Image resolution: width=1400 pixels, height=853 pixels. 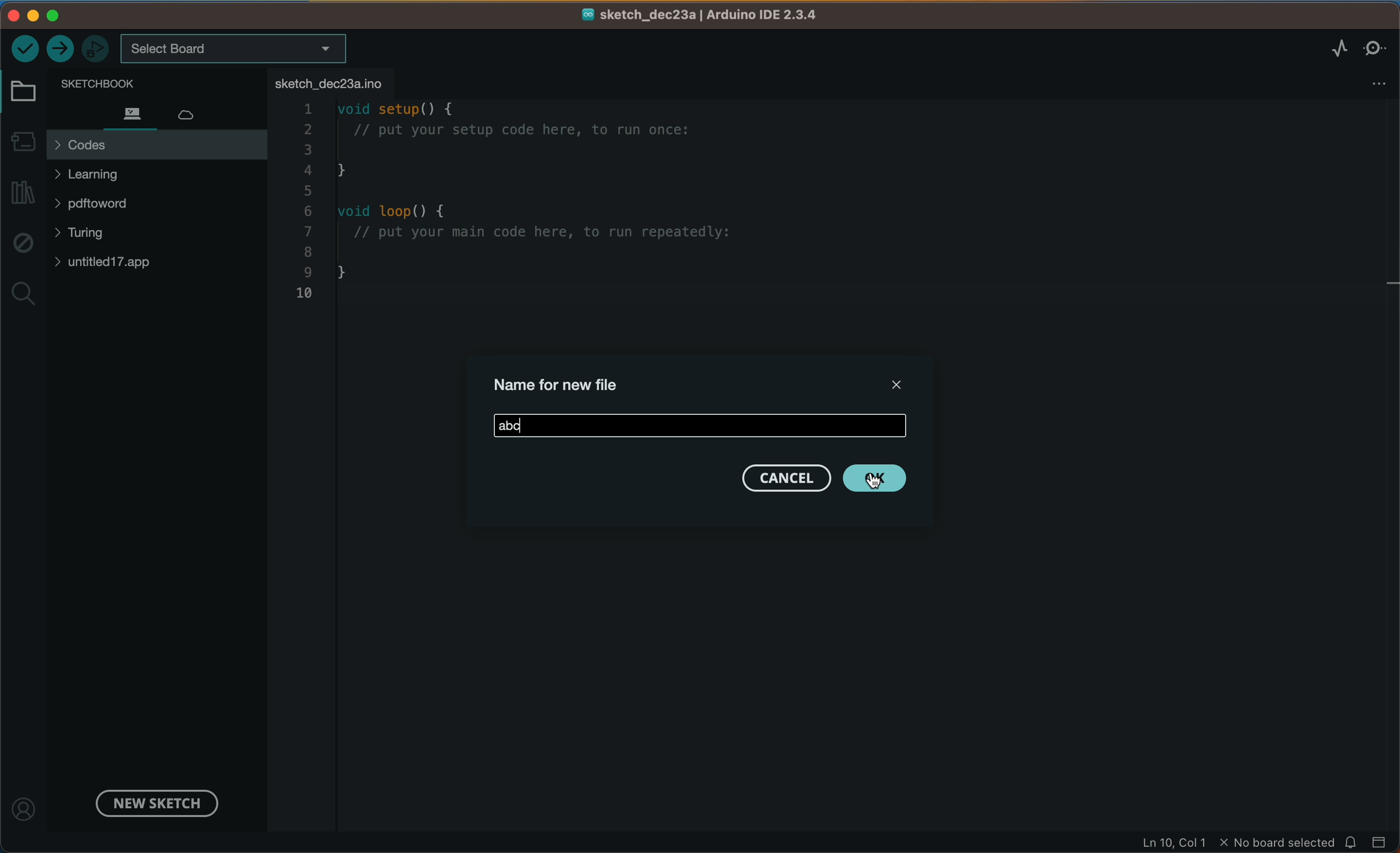 I want to click on window control, so click(x=49, y=15).